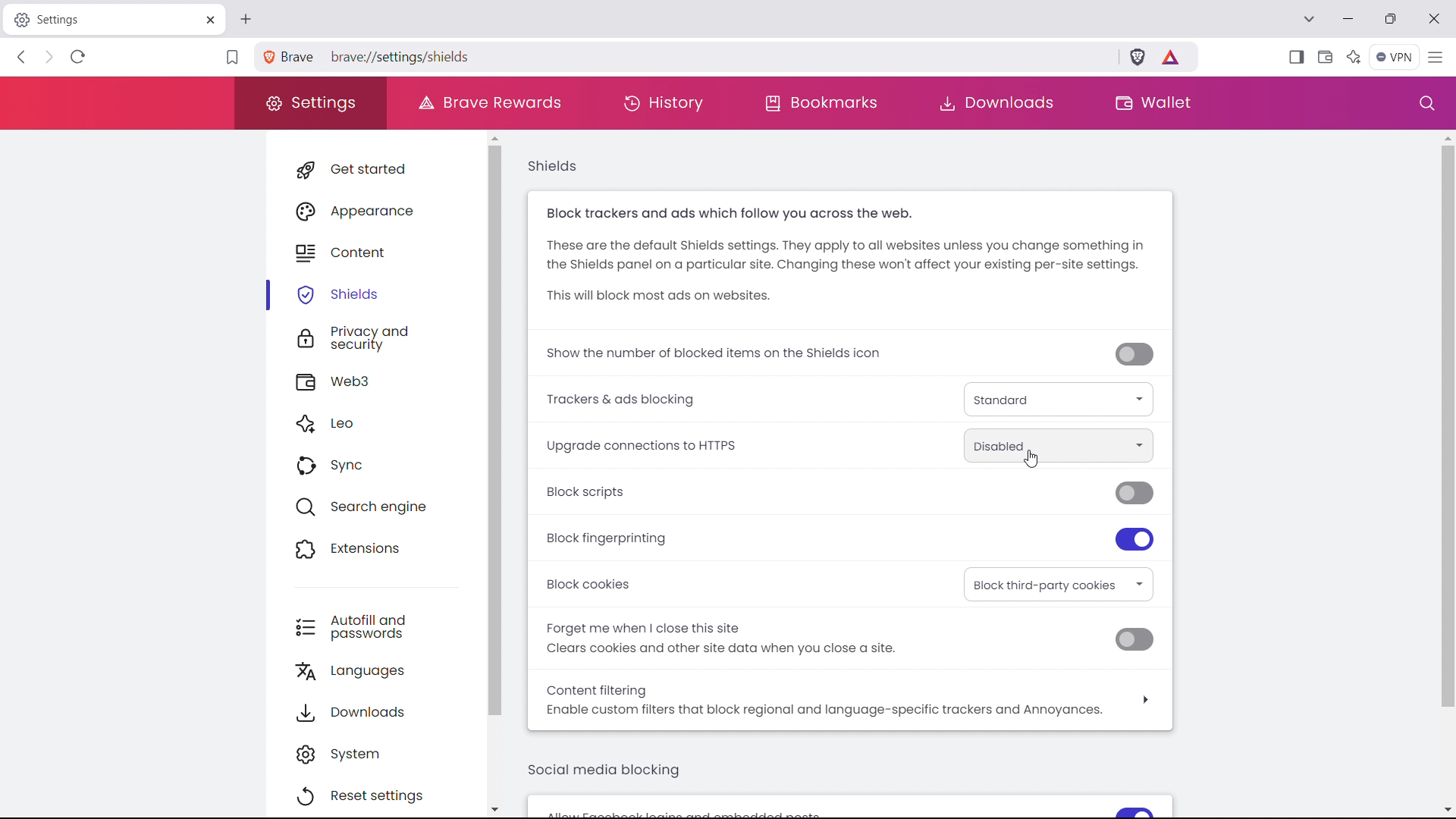 The height and width of the screenshot is (819, 1456). What do you see at coordinates (1324, 57) in the screenshot?
I see `wallet` at bounding box center [1324, 57].